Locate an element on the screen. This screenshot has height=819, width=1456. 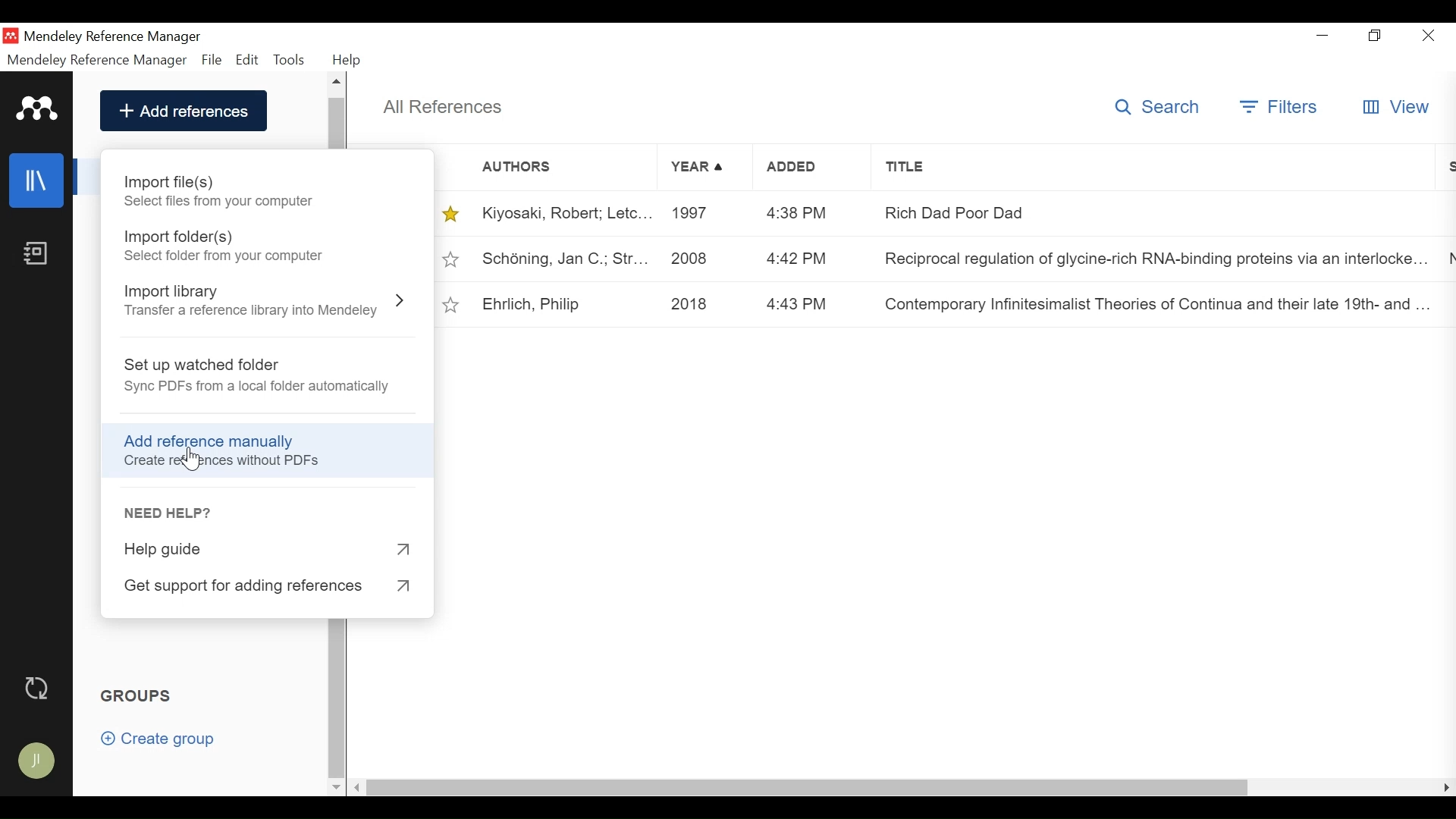
library is located at coordinates (38, 180).